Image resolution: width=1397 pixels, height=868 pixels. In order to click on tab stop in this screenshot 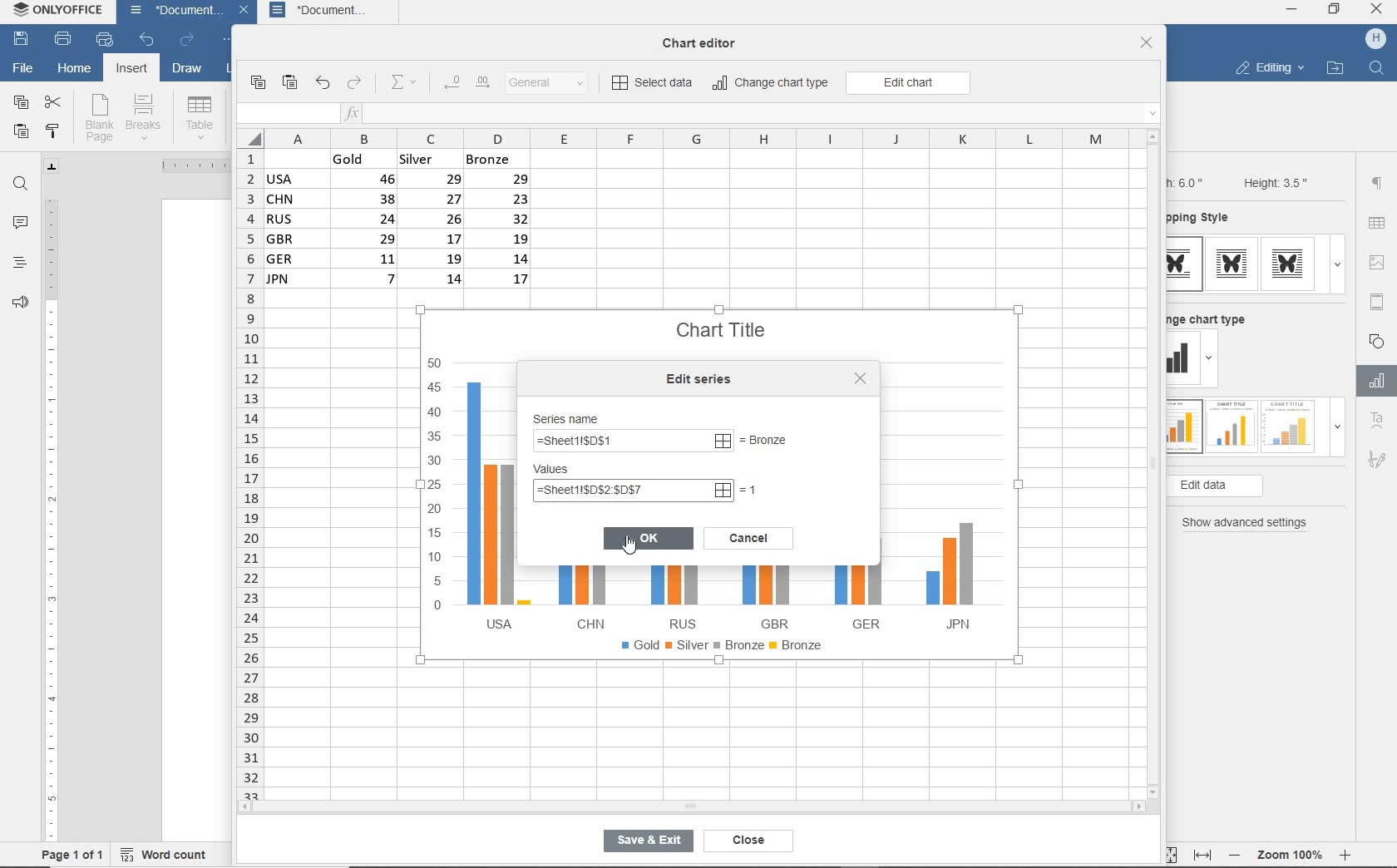, I will do `click(52, 166)`.